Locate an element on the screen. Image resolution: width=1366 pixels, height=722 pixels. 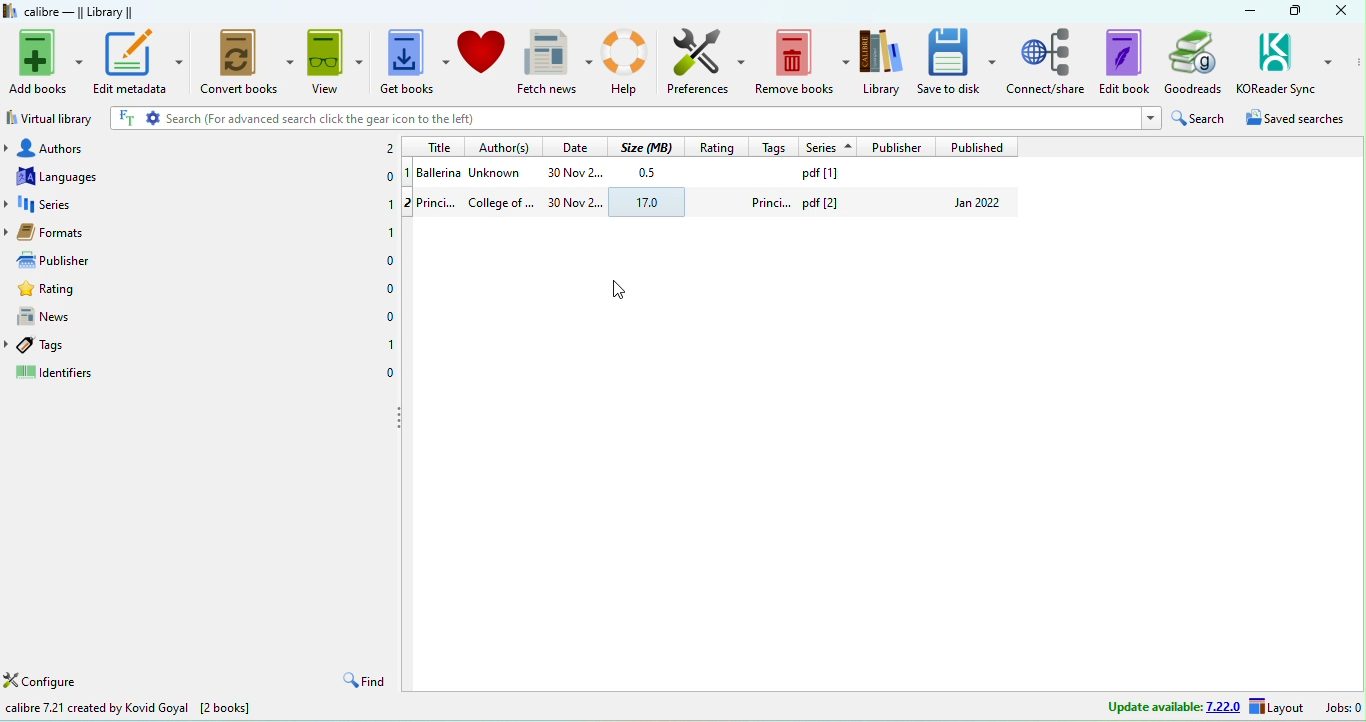
find is located at coordinates (362, 681).